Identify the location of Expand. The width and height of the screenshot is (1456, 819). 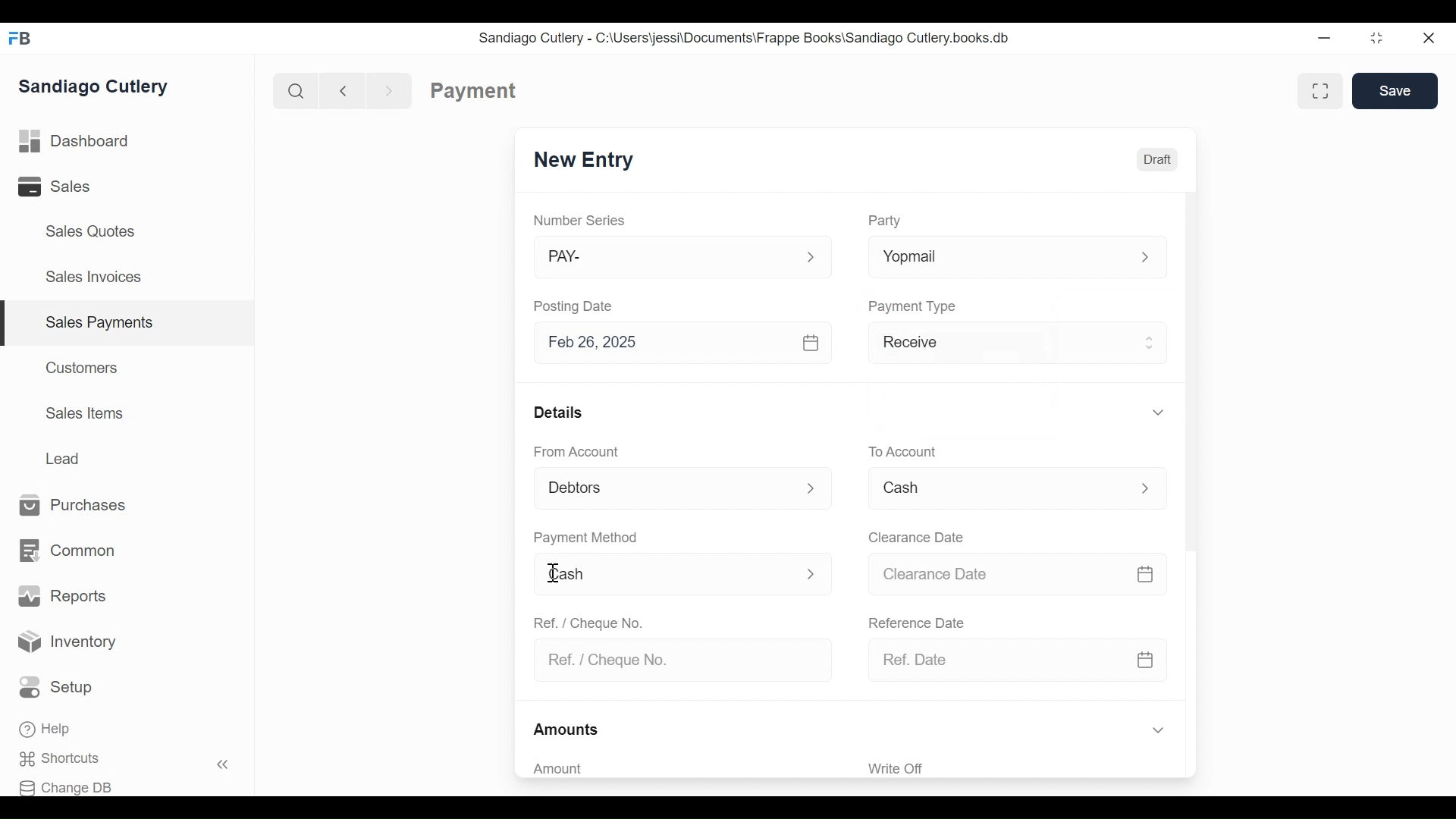
(1157, 731).